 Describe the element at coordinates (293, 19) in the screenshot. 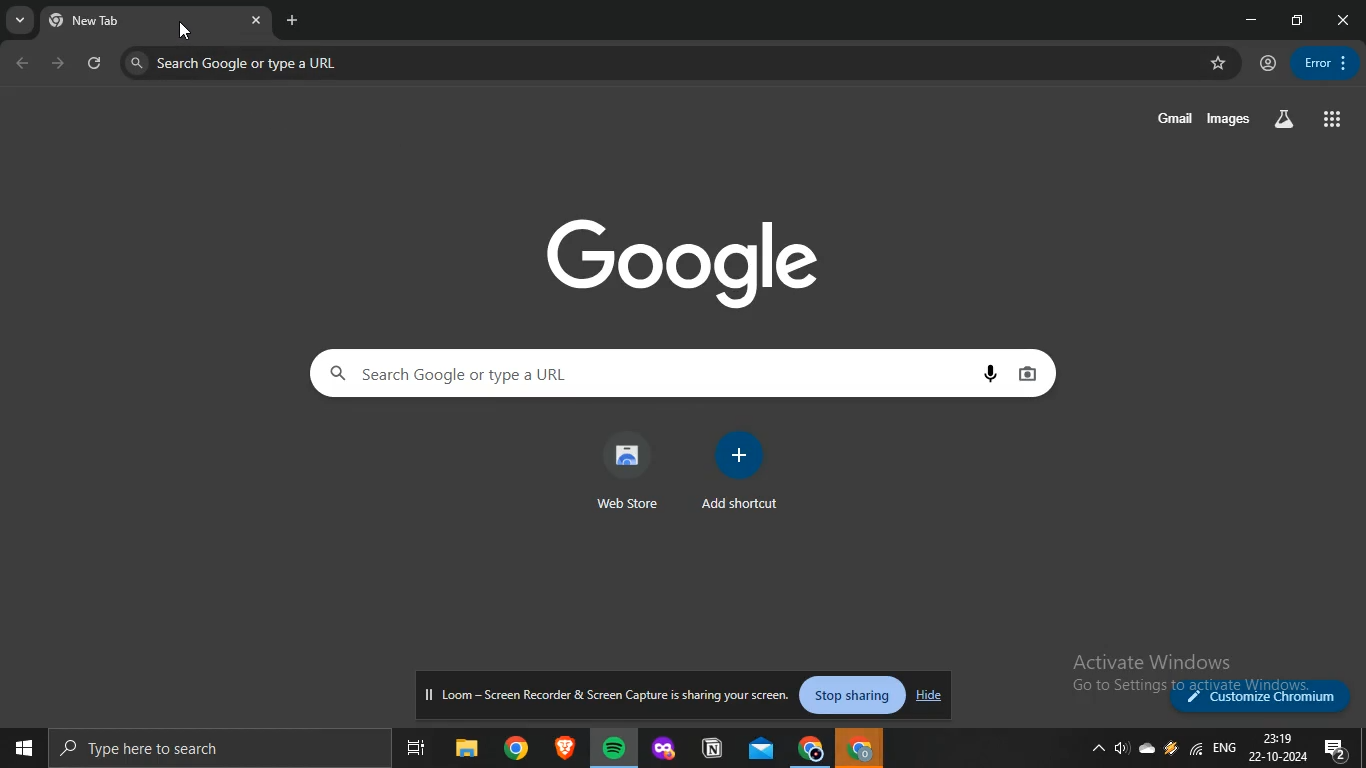

I see `newtab` at that location.